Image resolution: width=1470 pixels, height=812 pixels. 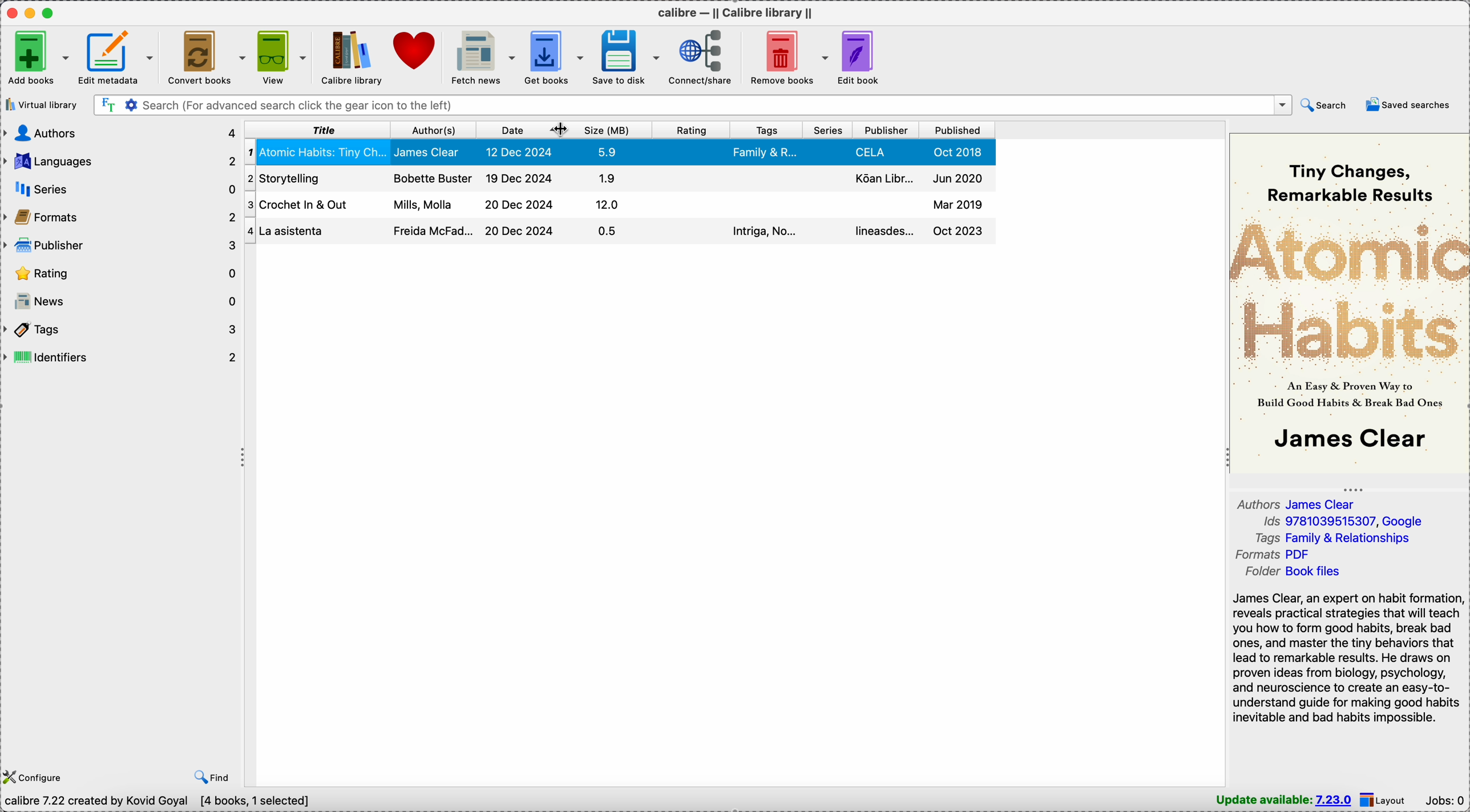 What do you see at coordinates (122, 273) in the screenshot?
I see `rating` at bounding box center [122, 273].